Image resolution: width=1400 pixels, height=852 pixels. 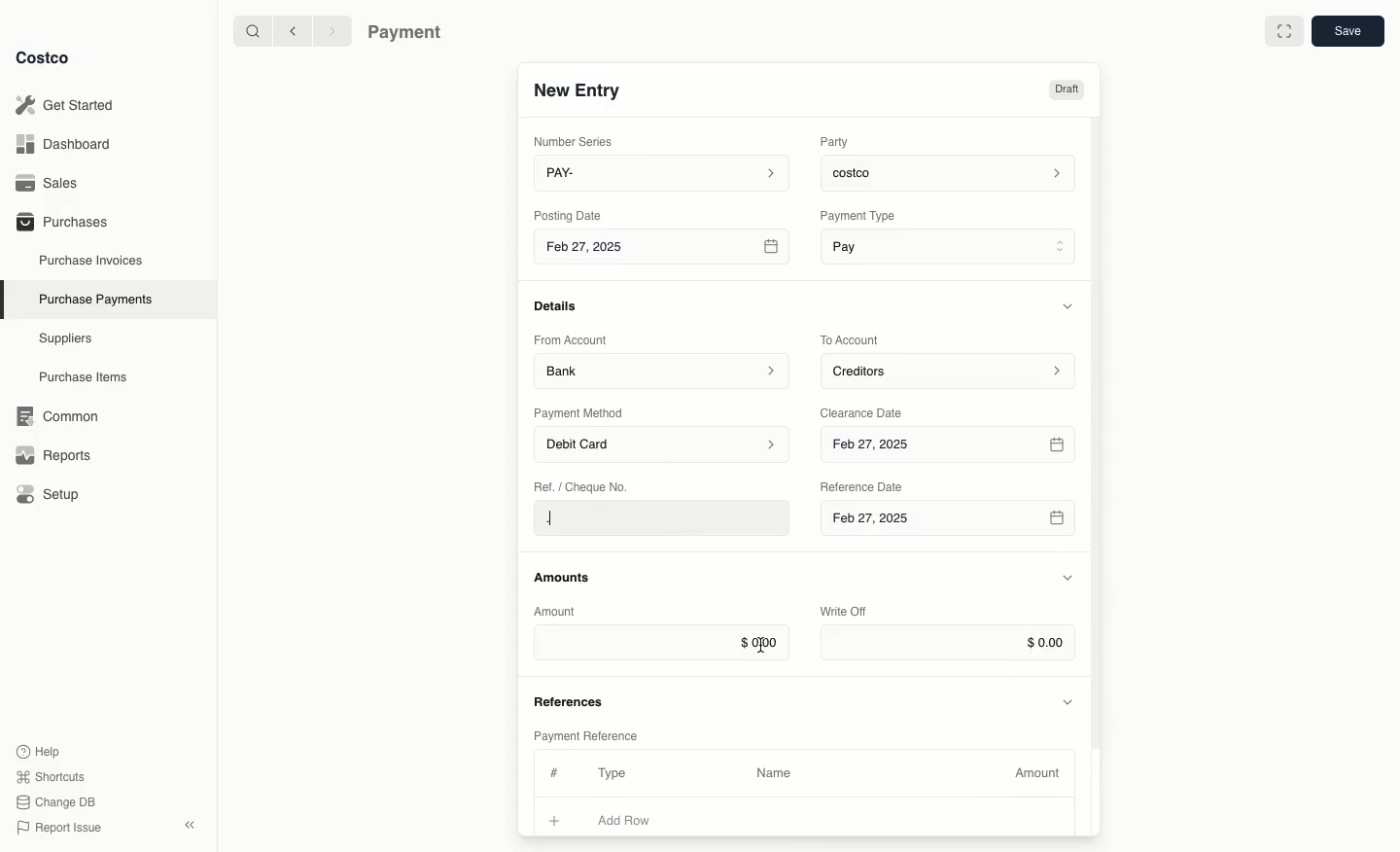 What do you see at coordinates (1347, 30) in the screenshot?
I see `Save` at bounding box center [1347, 30].